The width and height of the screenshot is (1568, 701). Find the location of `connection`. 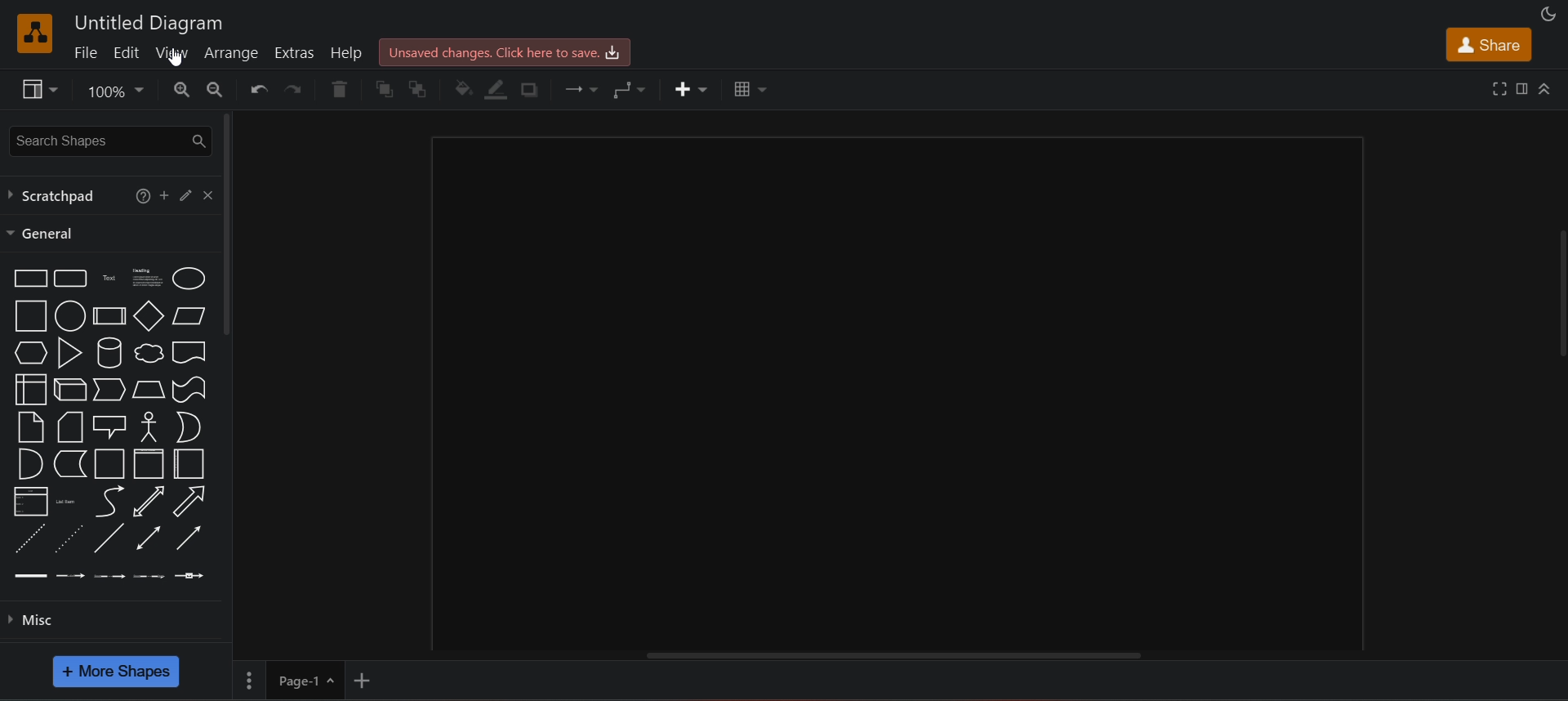

connection is located at coordinates (577, 87).